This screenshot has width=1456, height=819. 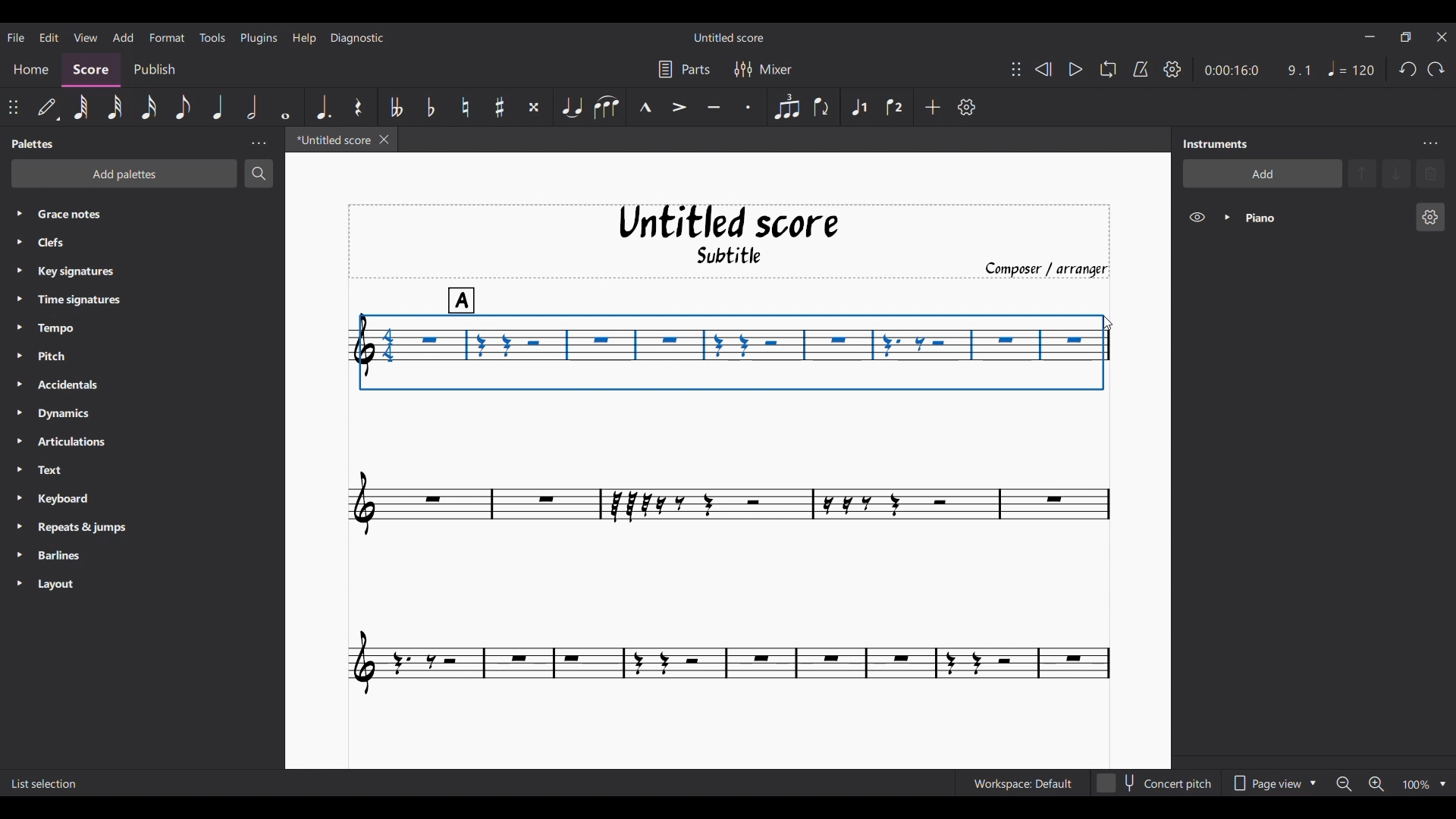 What do you see at coordinates (1197, 217) in the screenshot?
I see `Hide instrument` at bounding box center [1197, 217].